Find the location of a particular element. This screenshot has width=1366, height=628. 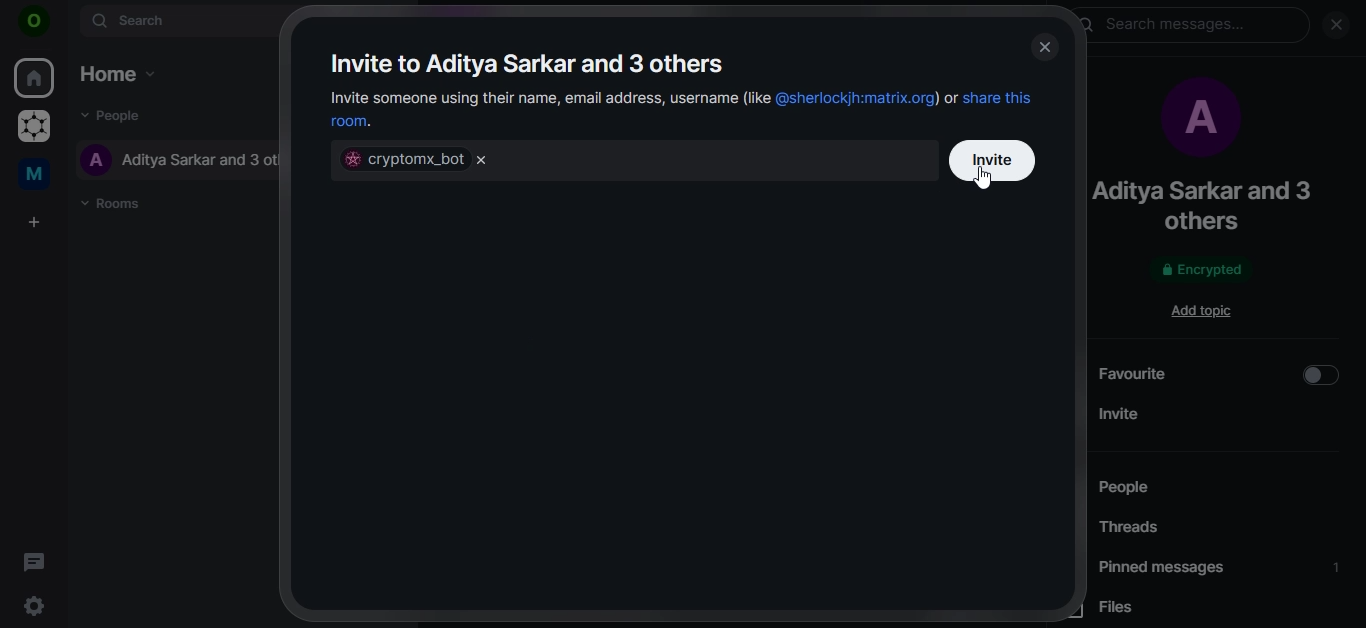

aditya sarkar and 3 others is located at coordinates (185, 160).